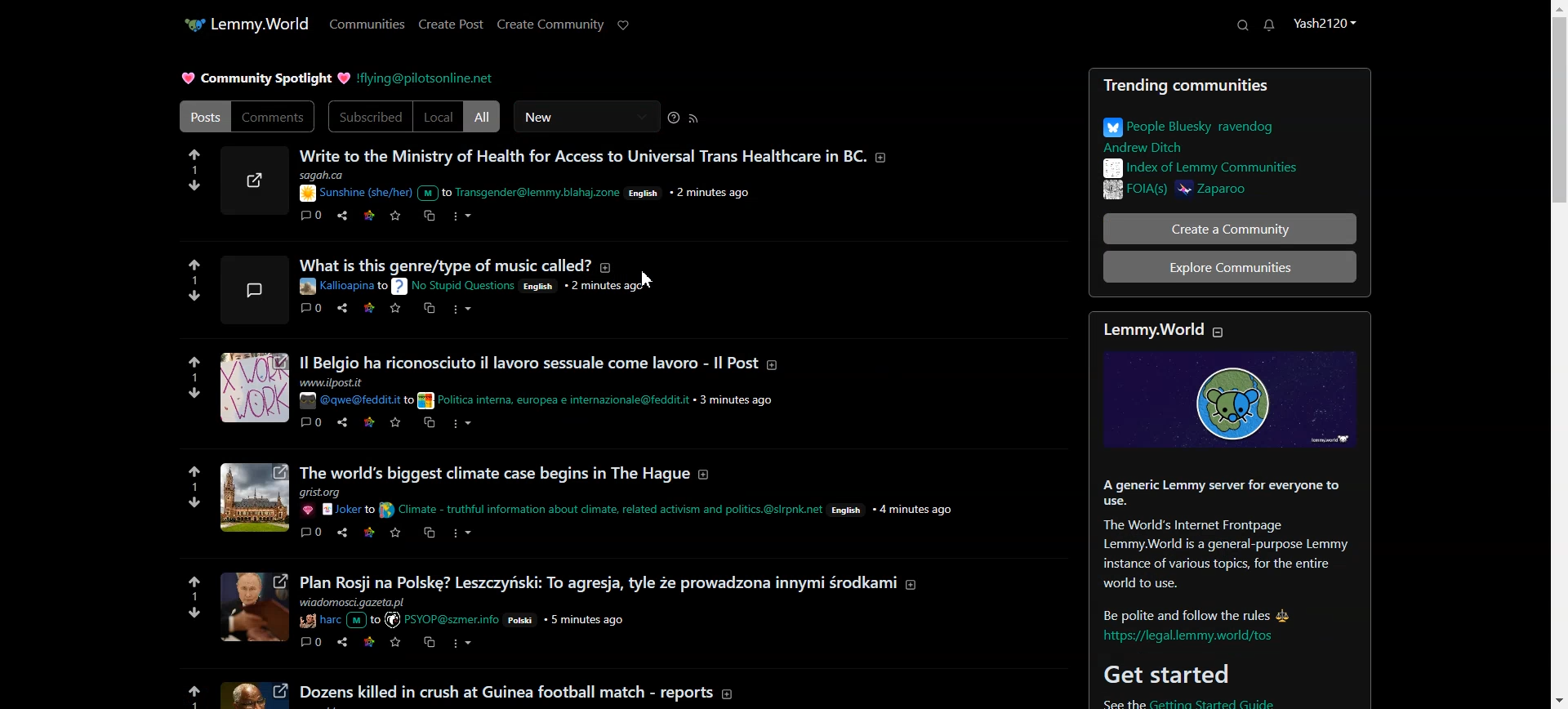  I want to click on text, so click(342, 384).